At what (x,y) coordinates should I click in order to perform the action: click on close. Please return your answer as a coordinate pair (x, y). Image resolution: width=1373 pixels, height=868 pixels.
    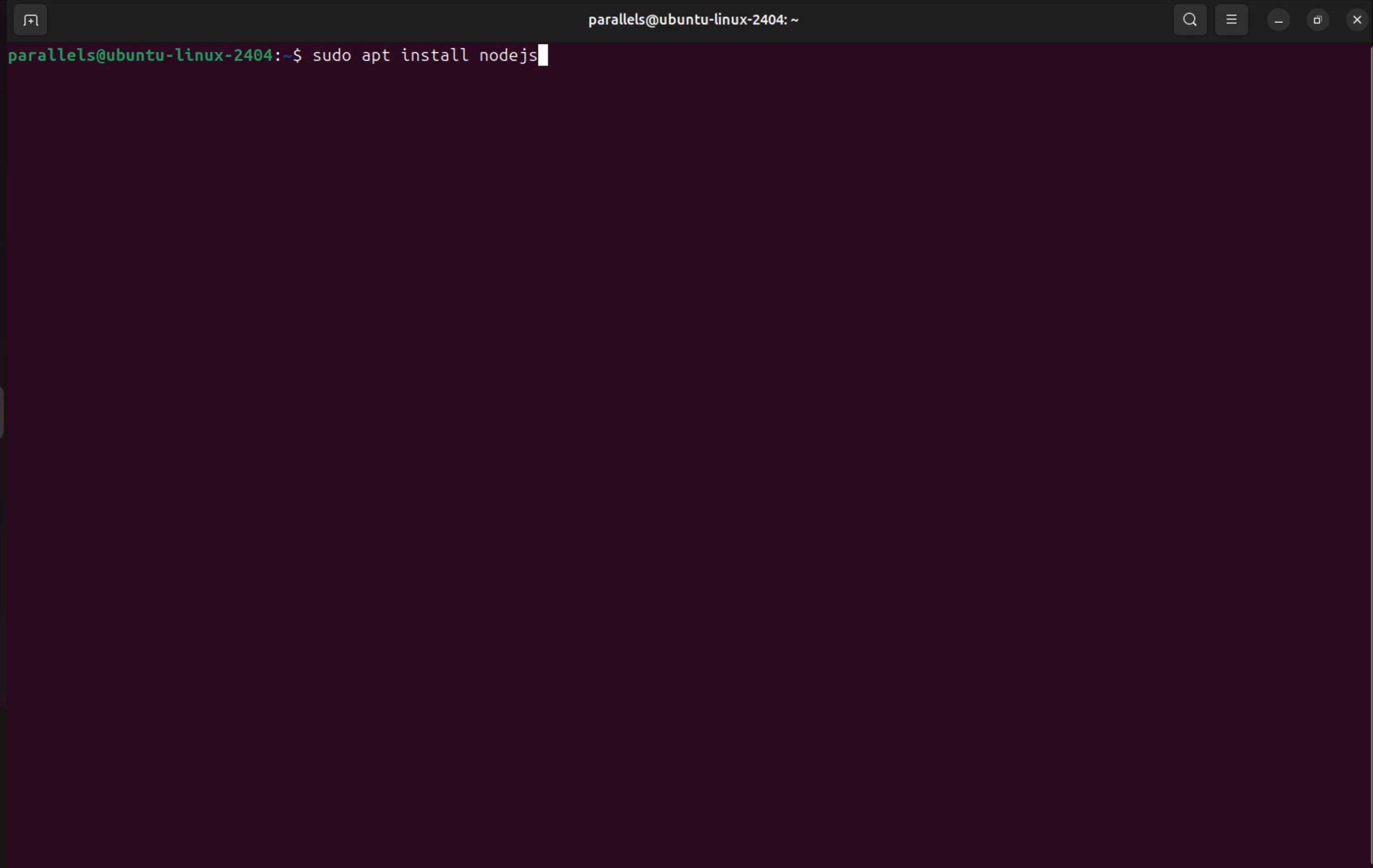
    Looking at the image, I should click on (1354, 20).